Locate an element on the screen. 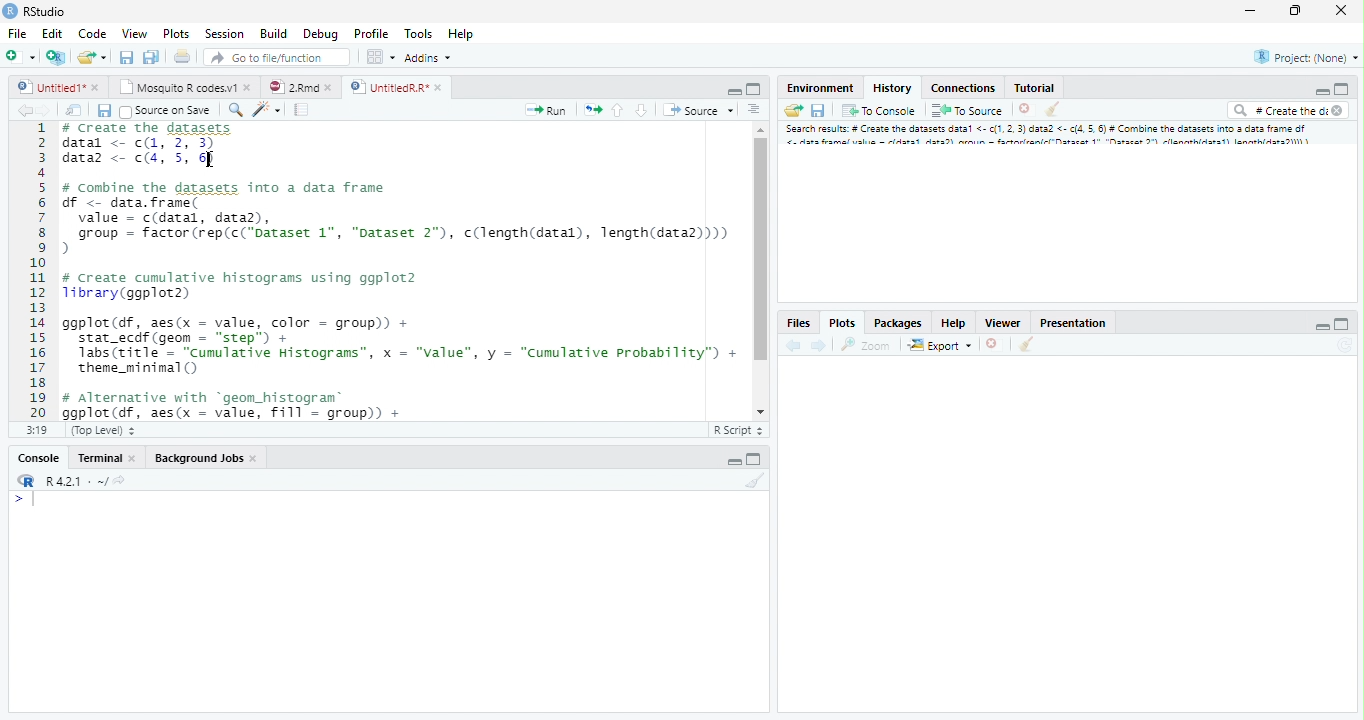  UntitledR.R is located at coordinates (396, 86).